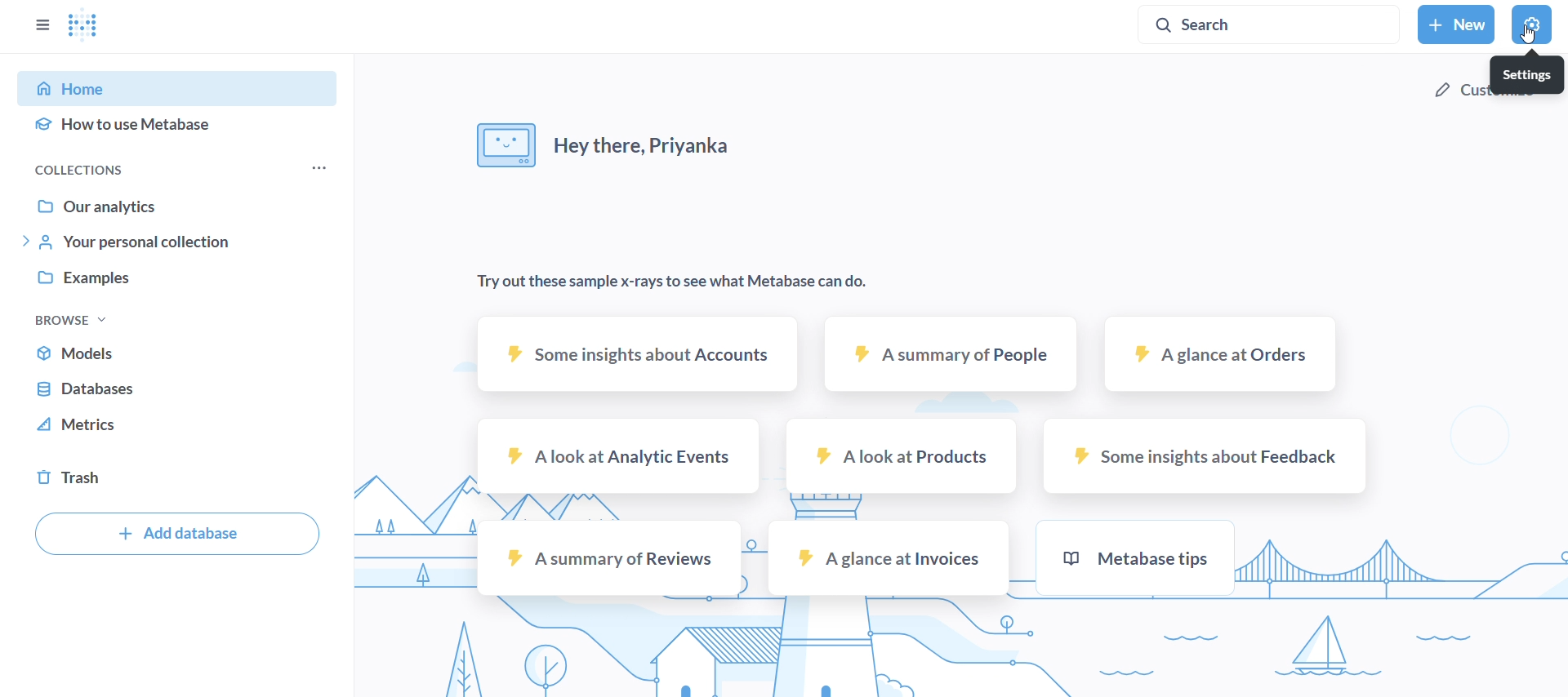 The width and height of the screenshot is (1568, 697). Describe the element at coordinates (85, 26) in the screenshot. I see `logo` at that location.